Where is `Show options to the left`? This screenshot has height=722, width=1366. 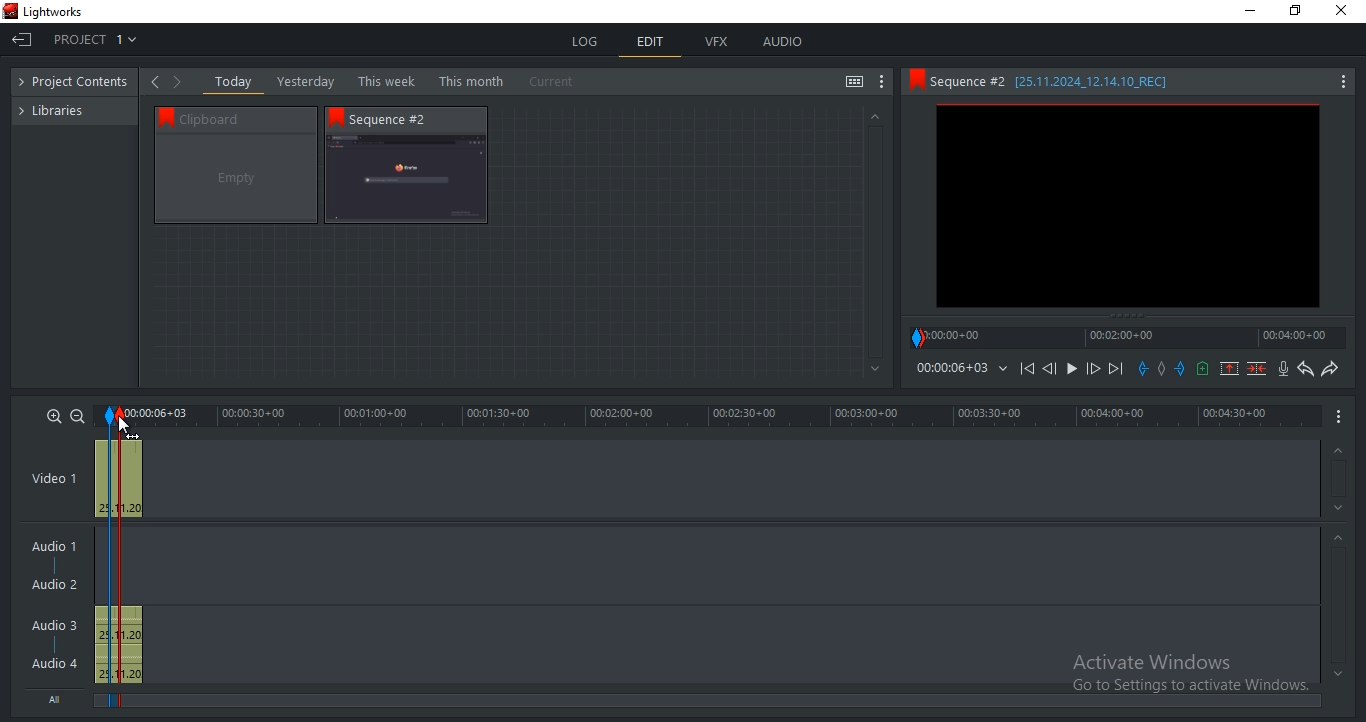 Show options to the left is located at coordinates (154, 81).